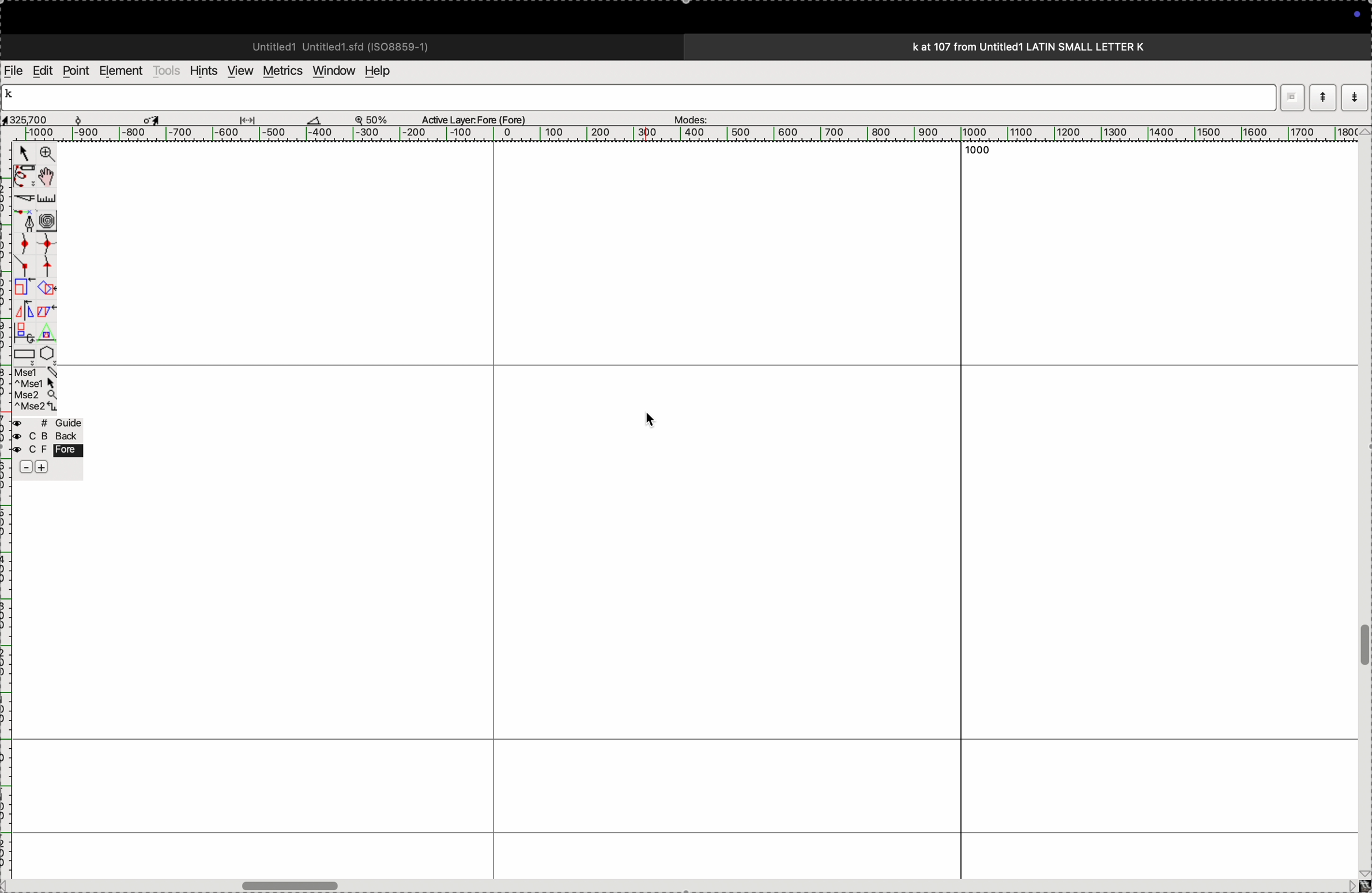 This screenshot has height=893, width=1372. What do you see at coordinates (24, 176) in the screenshot?
I see `pen` at bounding box center [24, 176].